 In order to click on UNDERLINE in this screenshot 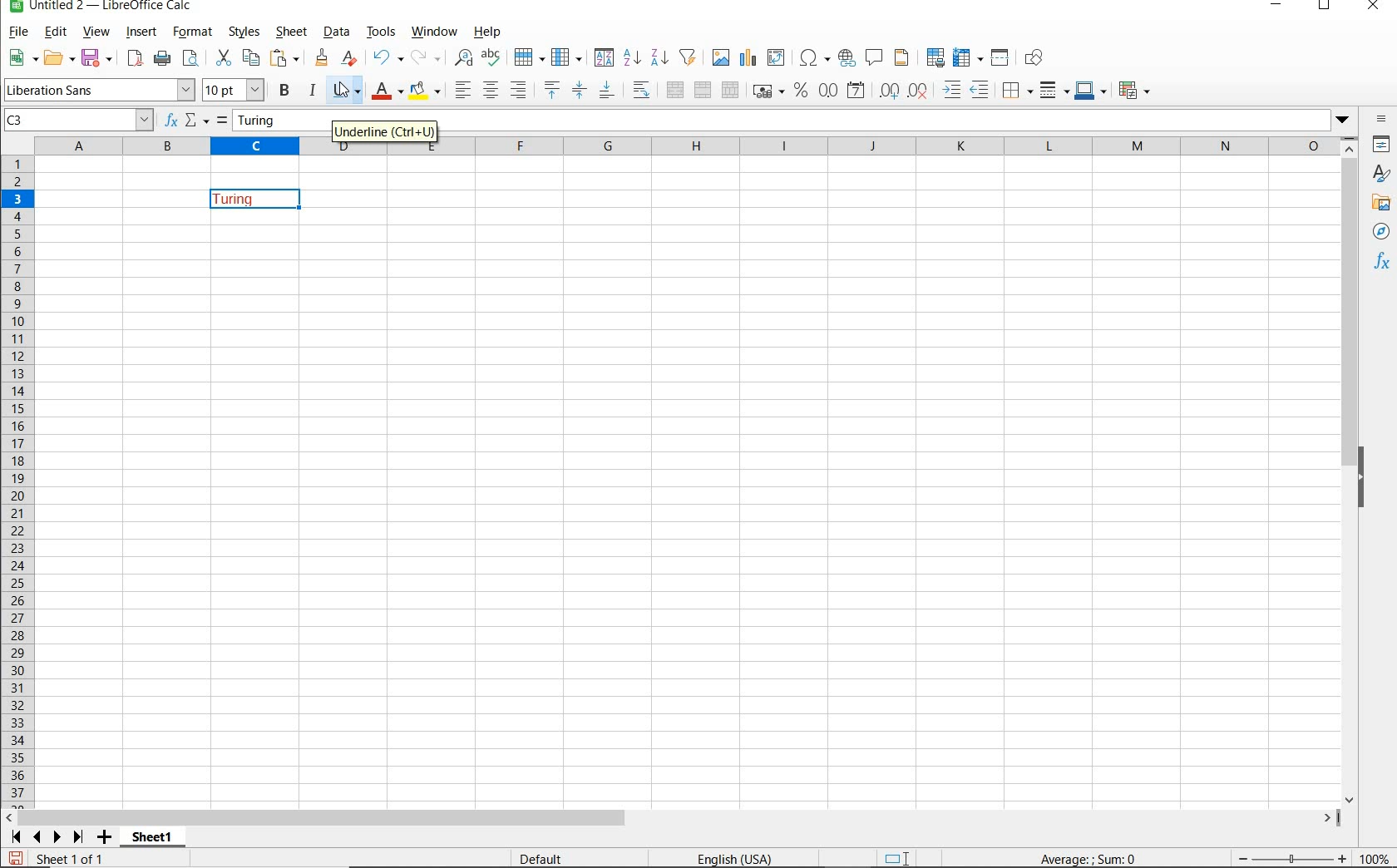, I will do `click(343, 91)`.